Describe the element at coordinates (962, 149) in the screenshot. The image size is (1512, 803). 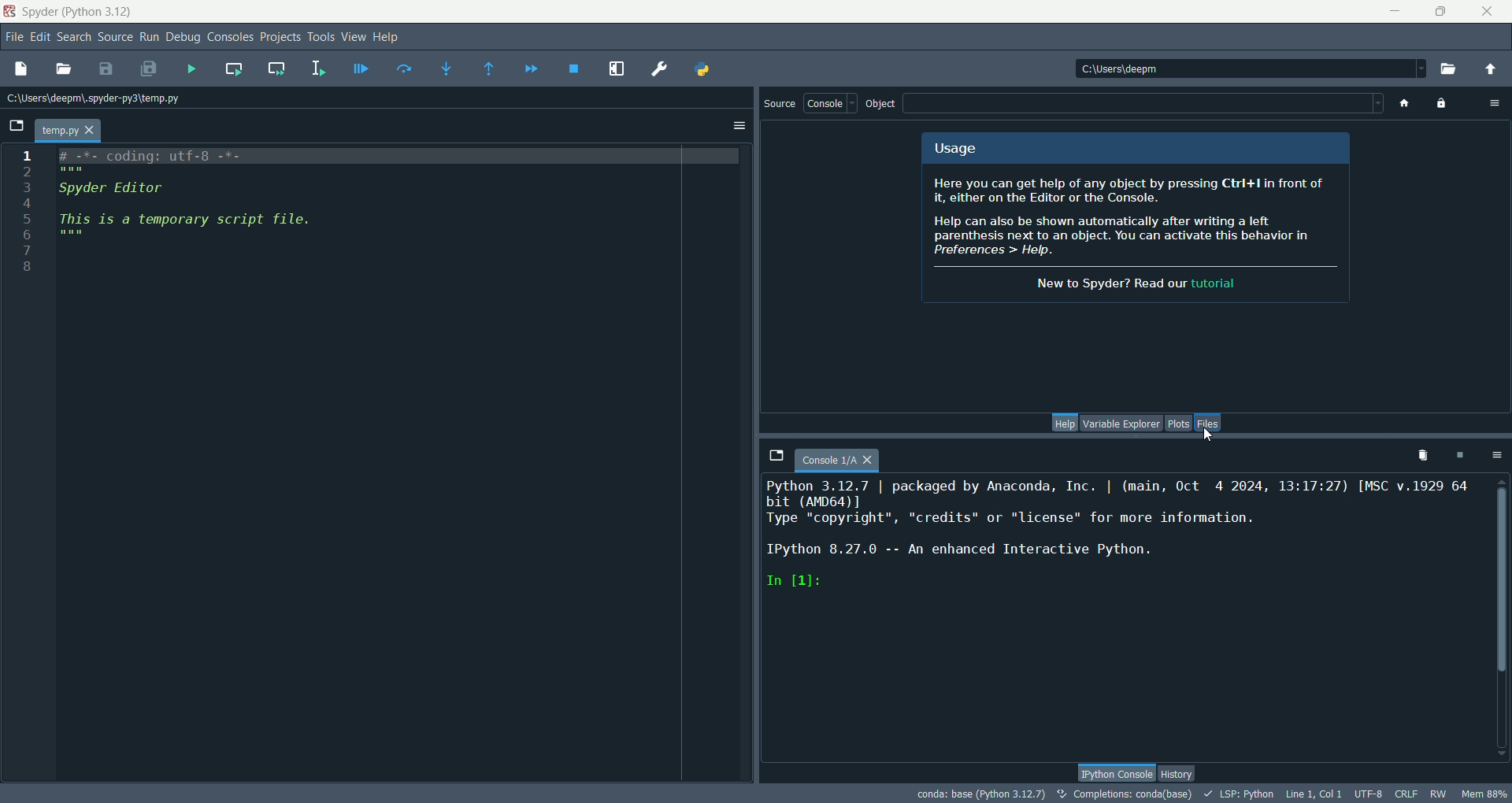
I see `usage` at that location.